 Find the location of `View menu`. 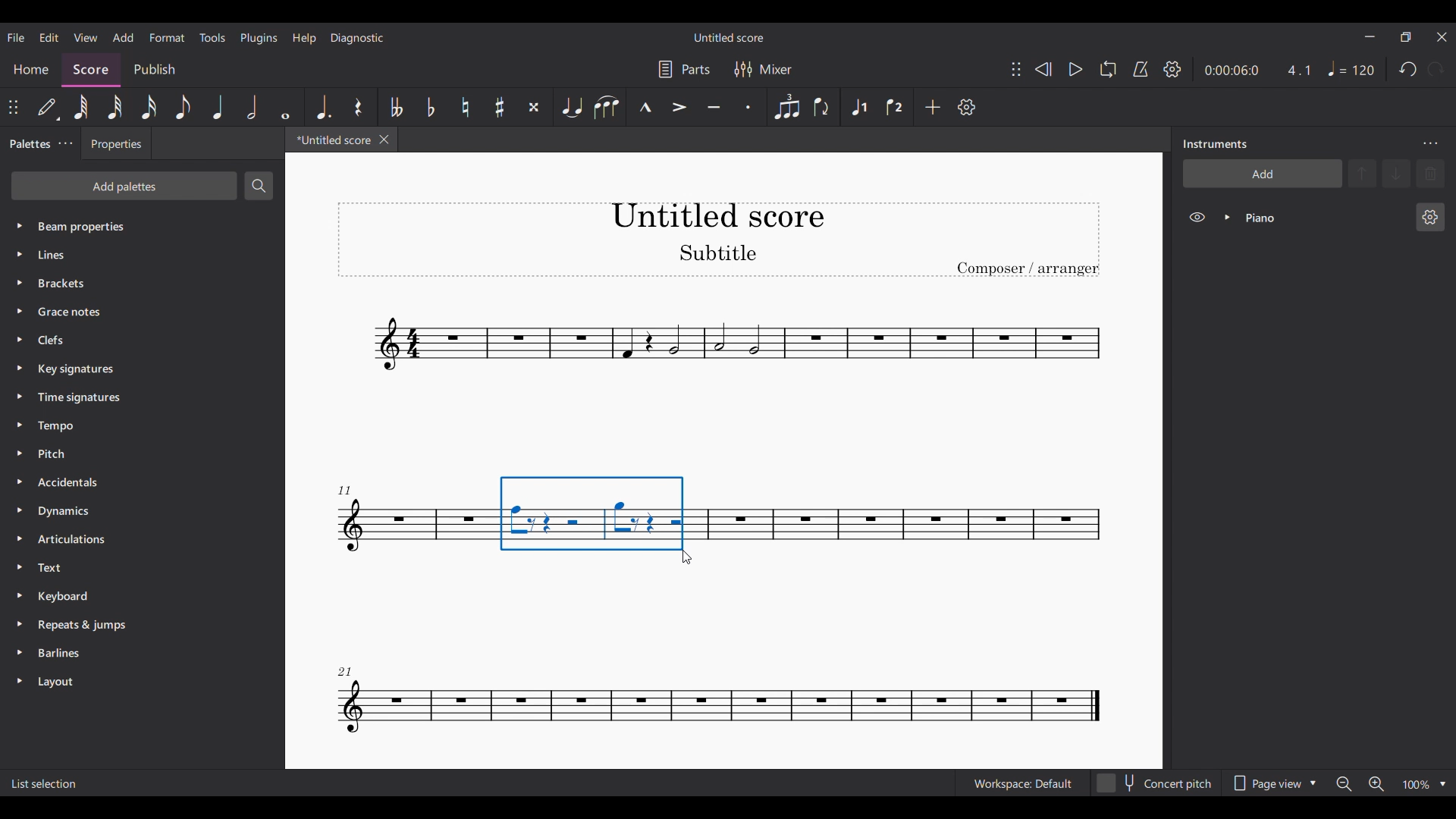

View menu is located at coordinates (85, 37).